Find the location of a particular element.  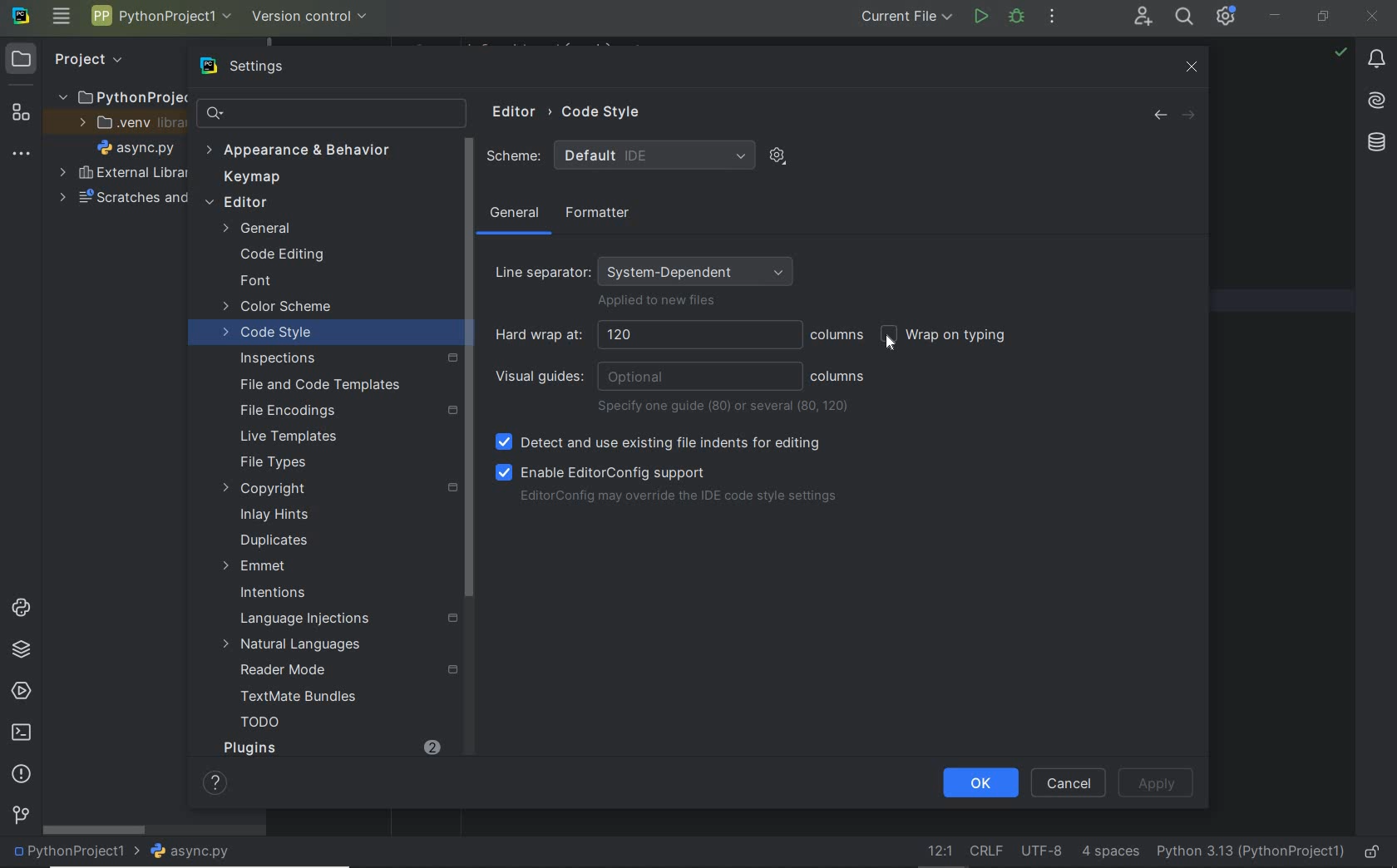

MINIMIZE is located at coordinates (1277, 14).